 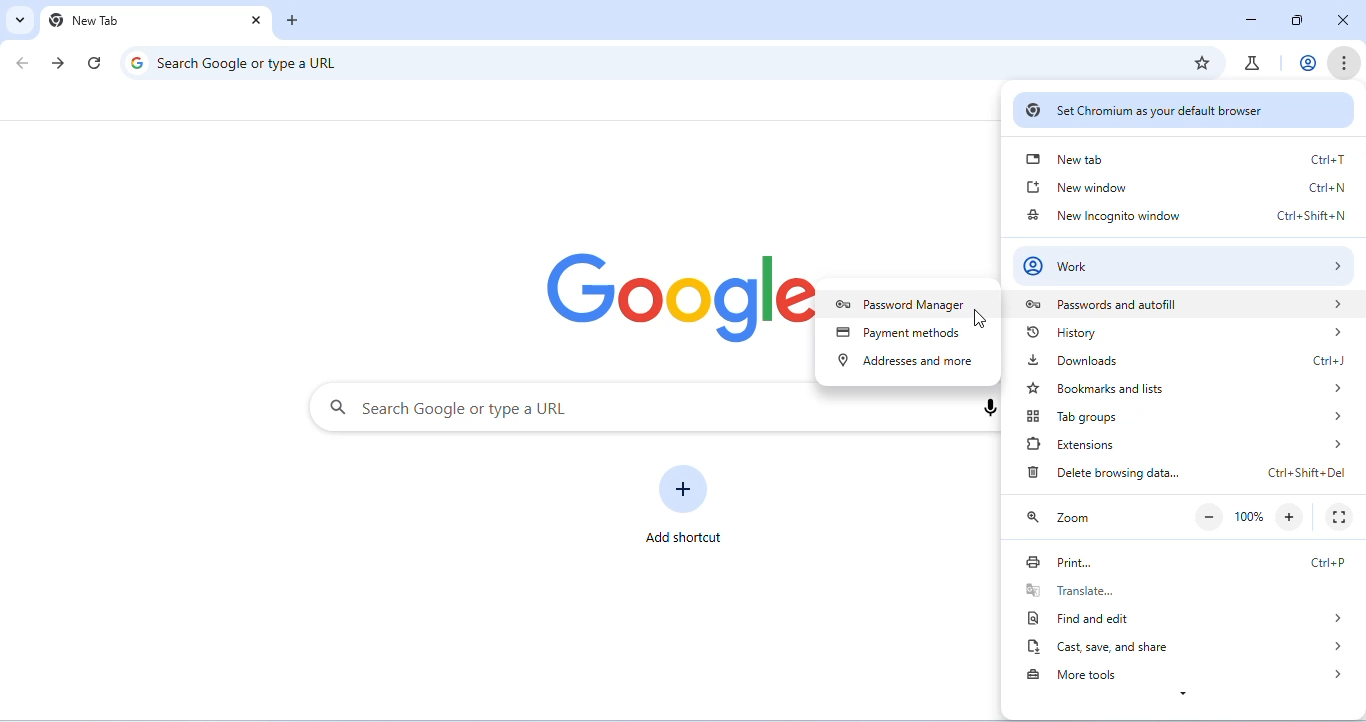 I want to click on password manager, so click(x=907, y=306).